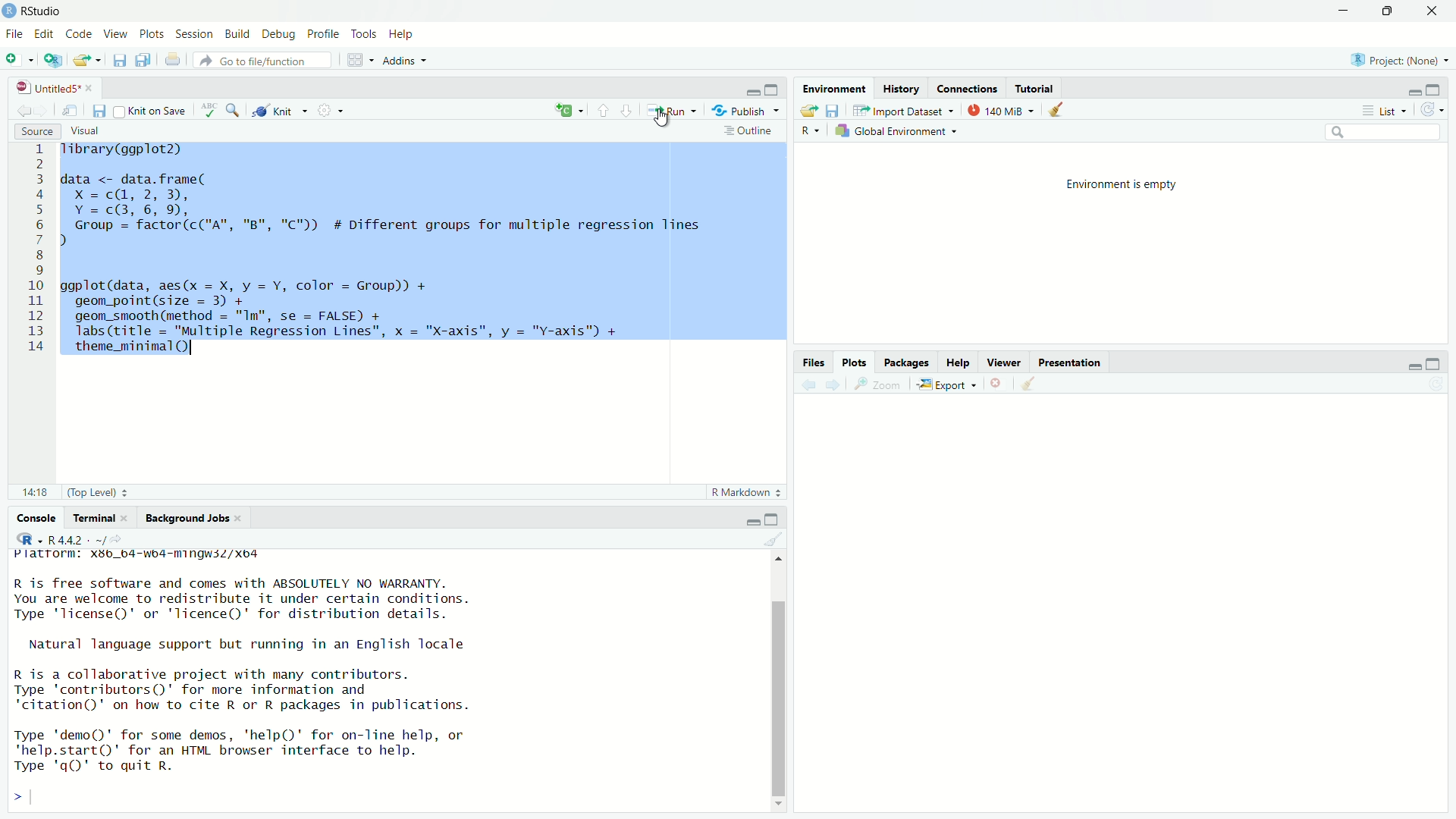 The image size is (1456, 819). Describe the element at coordinates (1439, 362) in the screenshot. I see `maximise` at that location.